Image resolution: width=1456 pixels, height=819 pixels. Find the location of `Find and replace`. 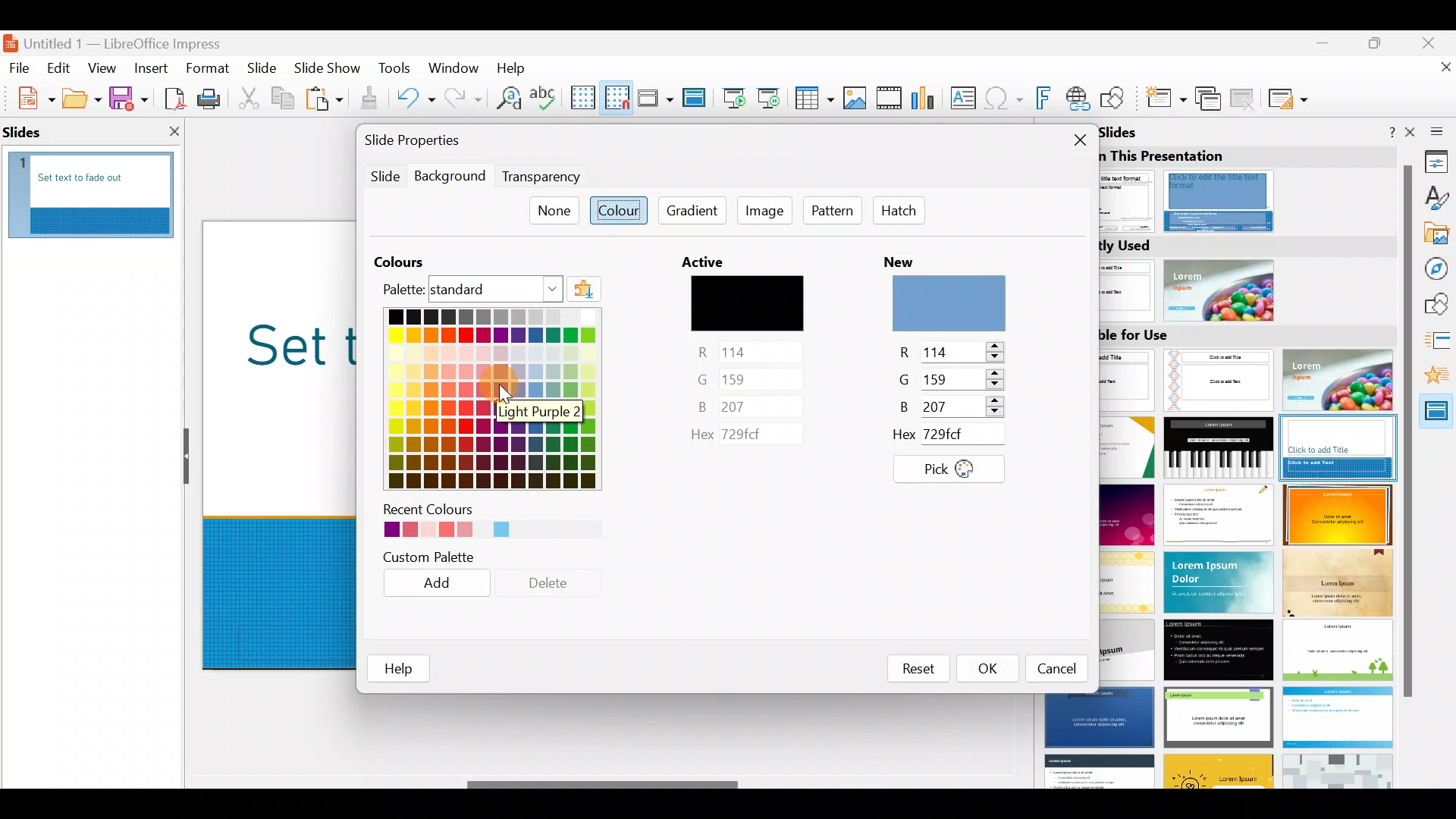

Find and replace is located at coordinates (506, 98).